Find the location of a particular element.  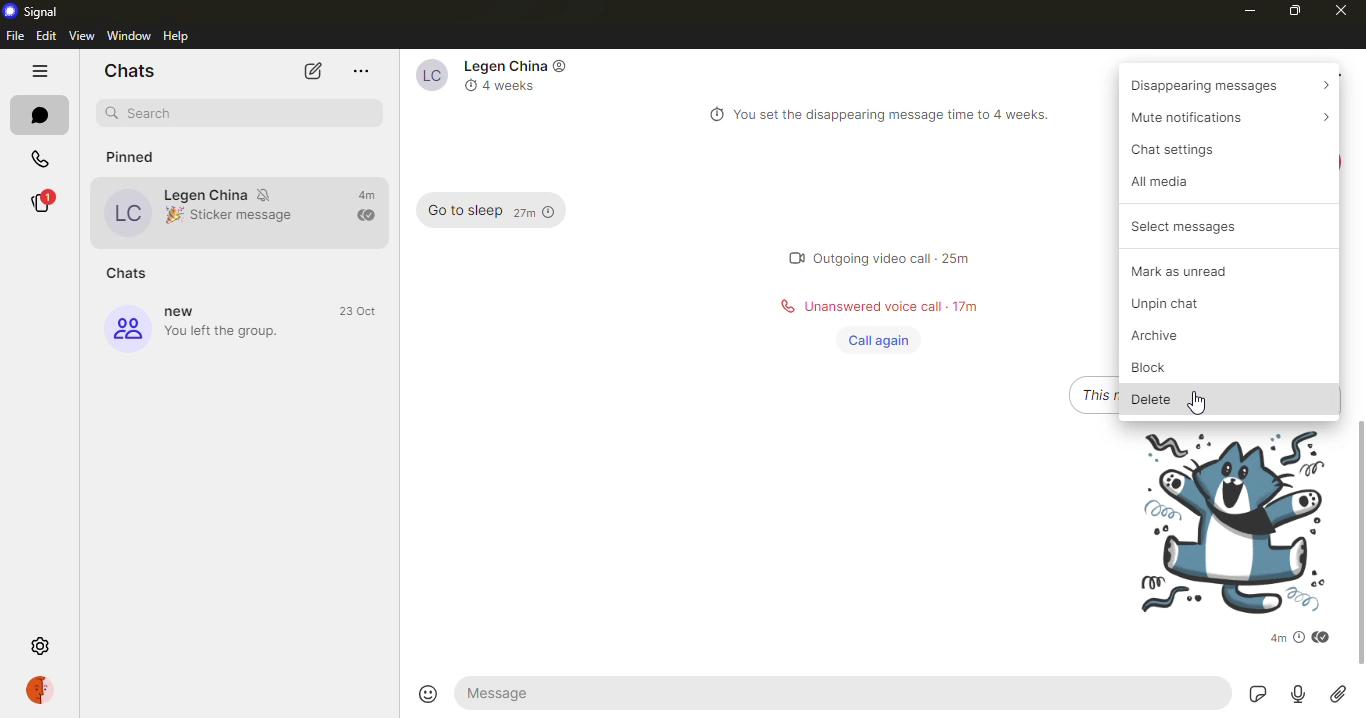

time is located at coordinates (1289, 637).